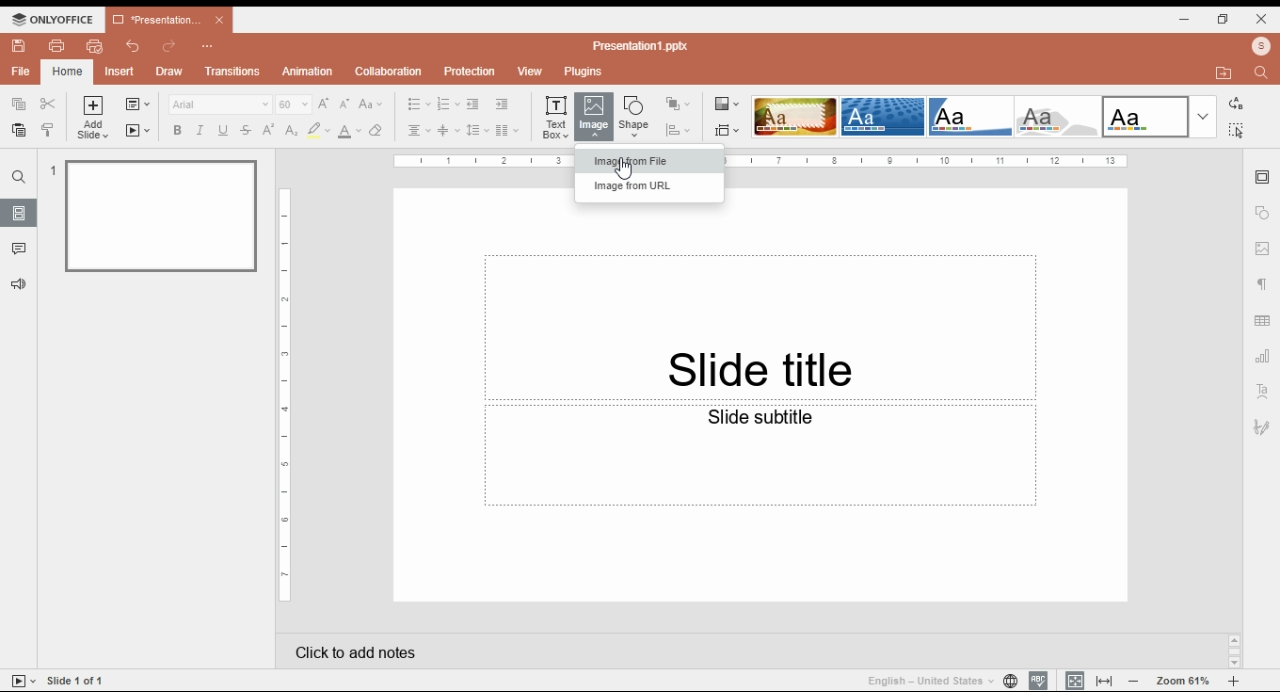  Describe the element at coordinates (317, 130) in the screenshot. I see `highlight color` at that location.